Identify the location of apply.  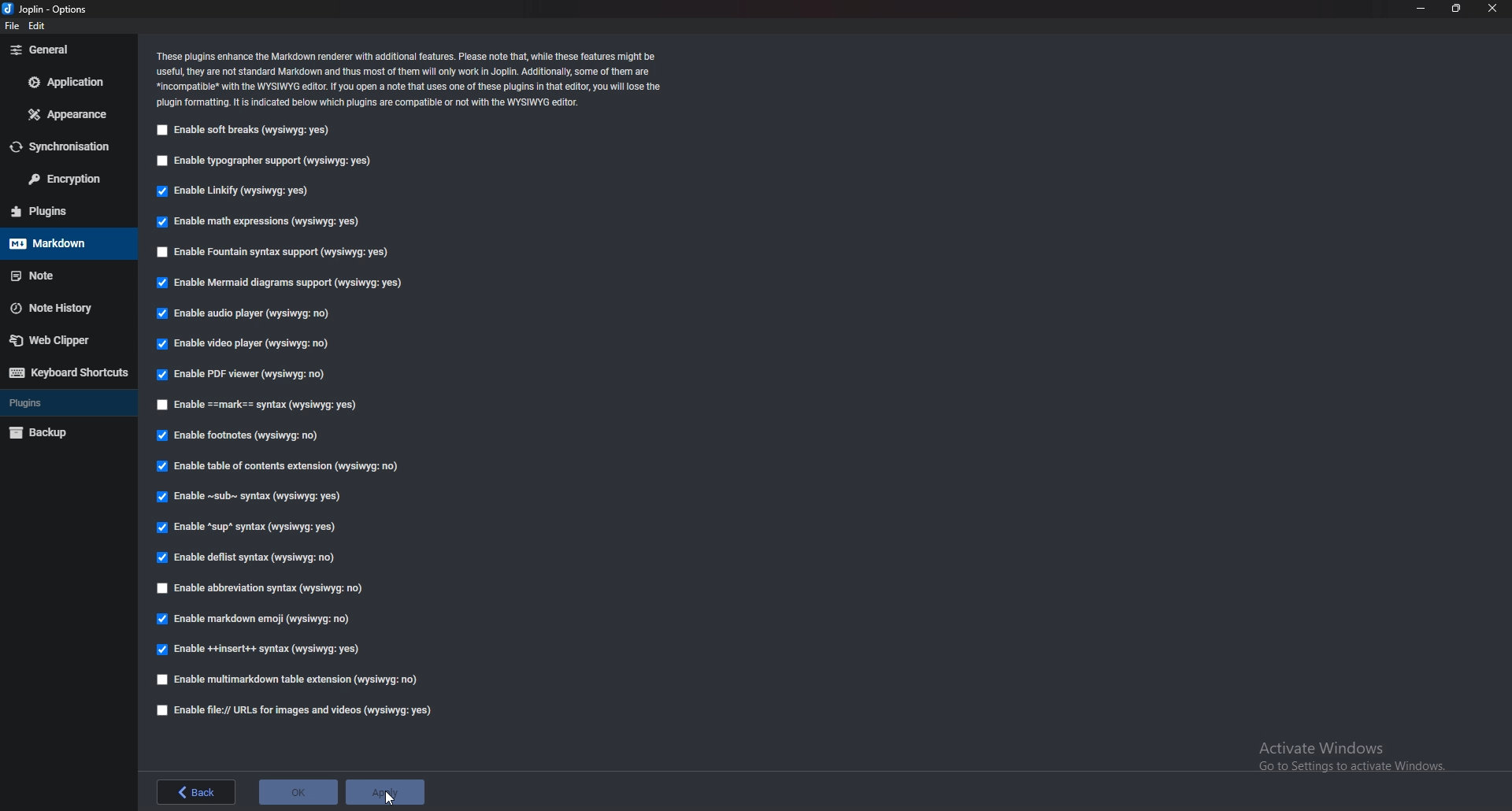
(384, 792).